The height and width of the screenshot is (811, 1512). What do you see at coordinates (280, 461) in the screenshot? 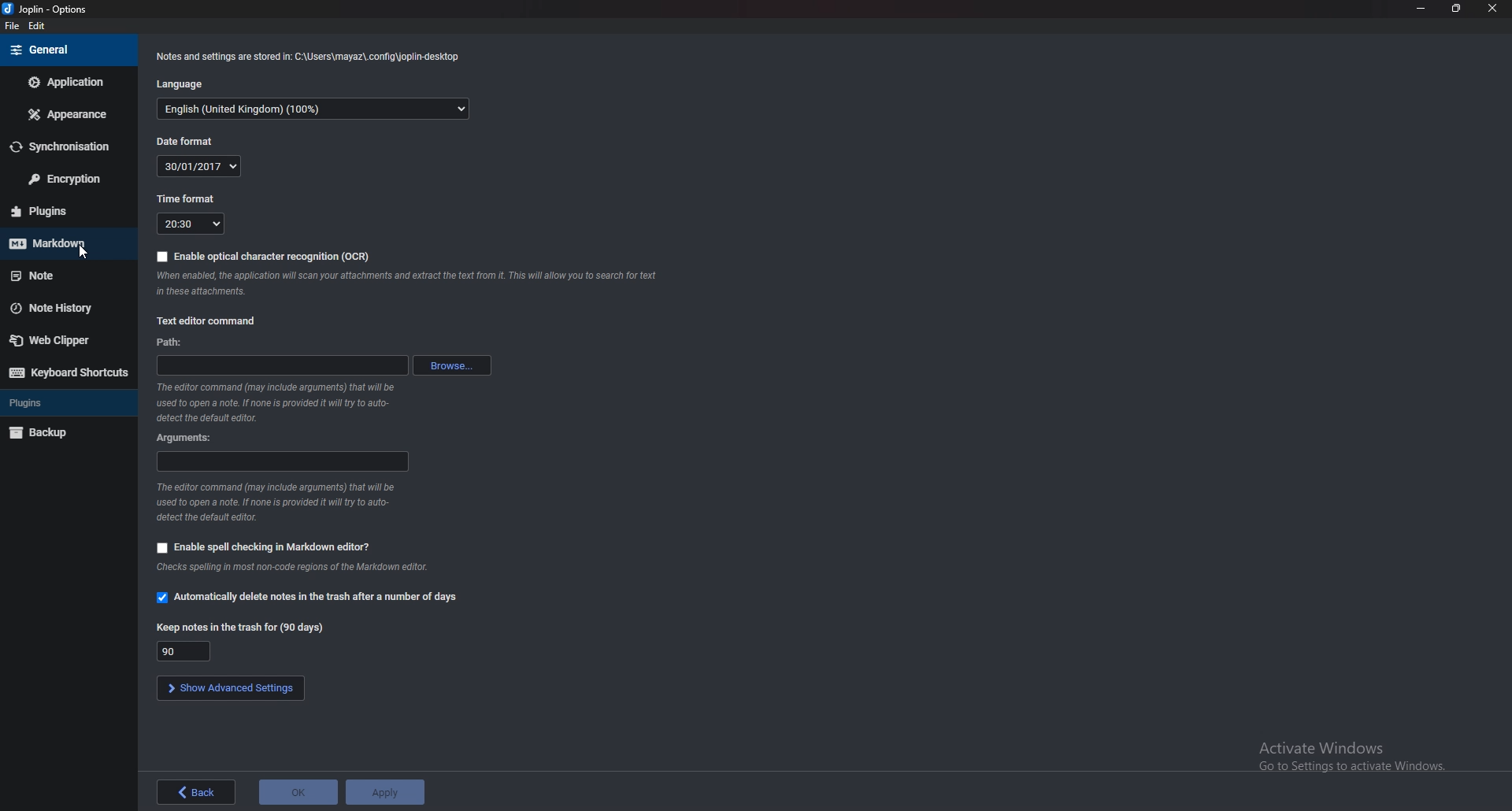
I see `arguments input` at bounding box center [280, 461].